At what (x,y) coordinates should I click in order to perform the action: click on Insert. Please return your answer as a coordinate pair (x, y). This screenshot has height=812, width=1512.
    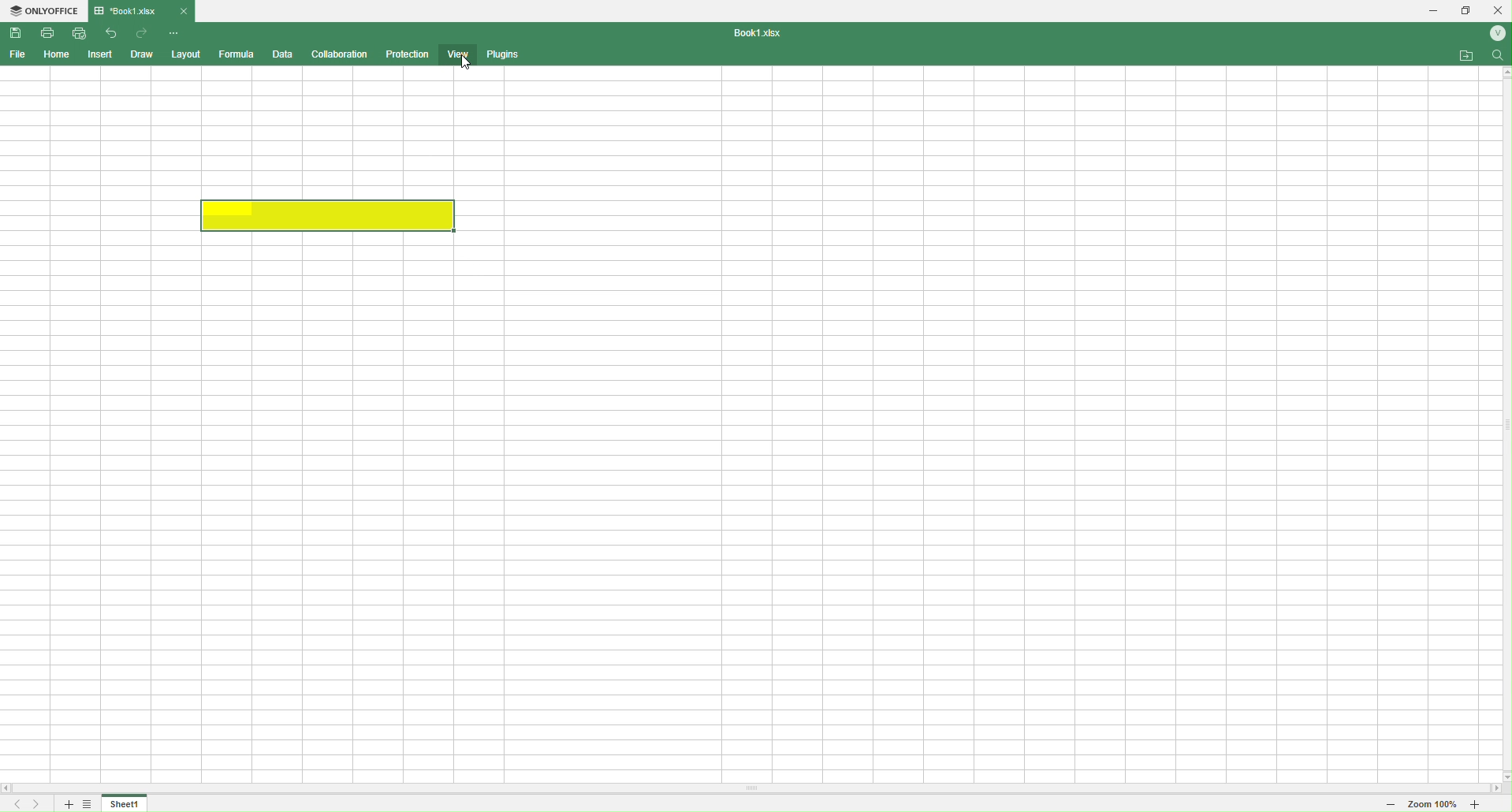
    Looking at the image, I should click on (99, 54).